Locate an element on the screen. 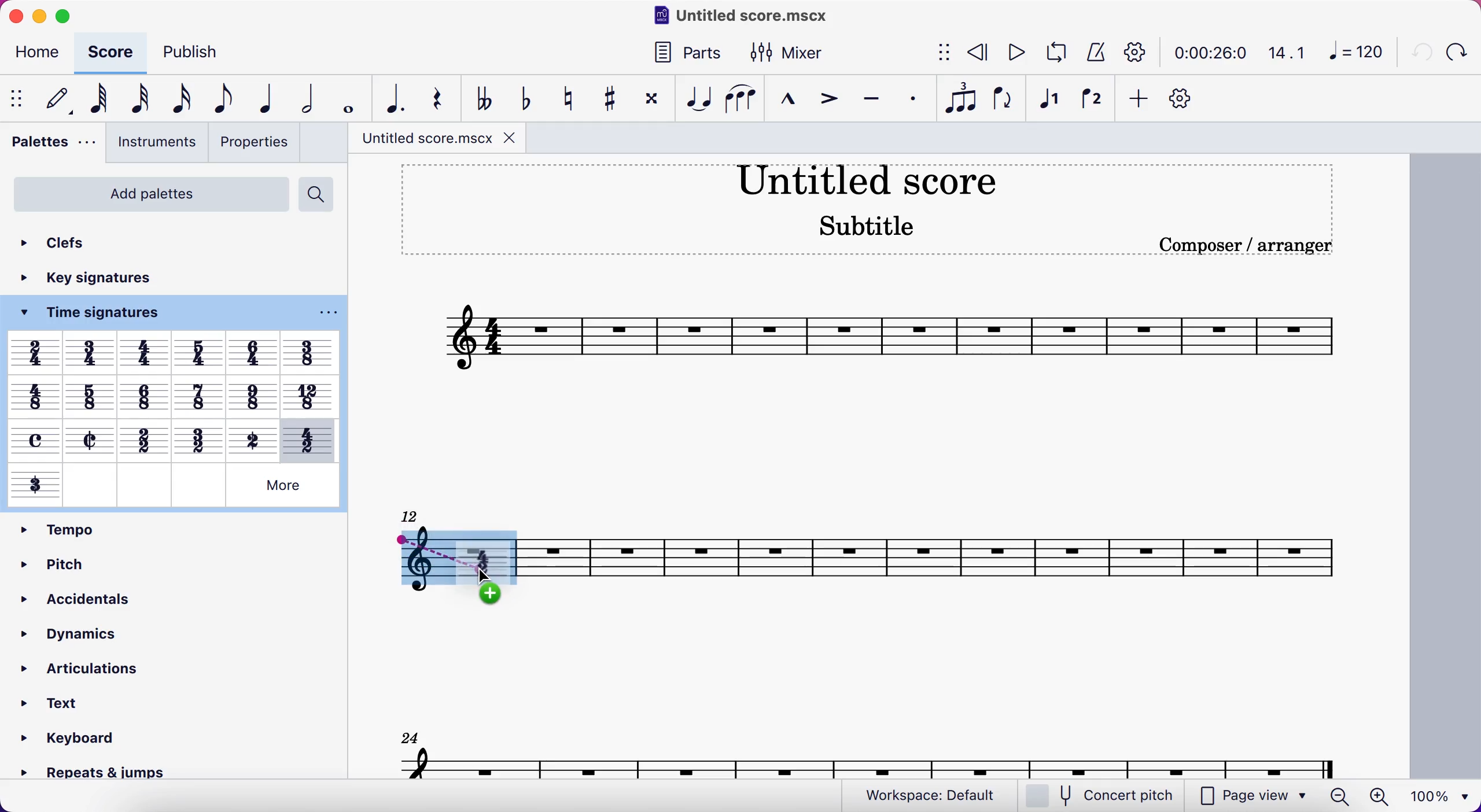 This screenshot has height=812, width=1481. text is located at coordinates (57, 701).